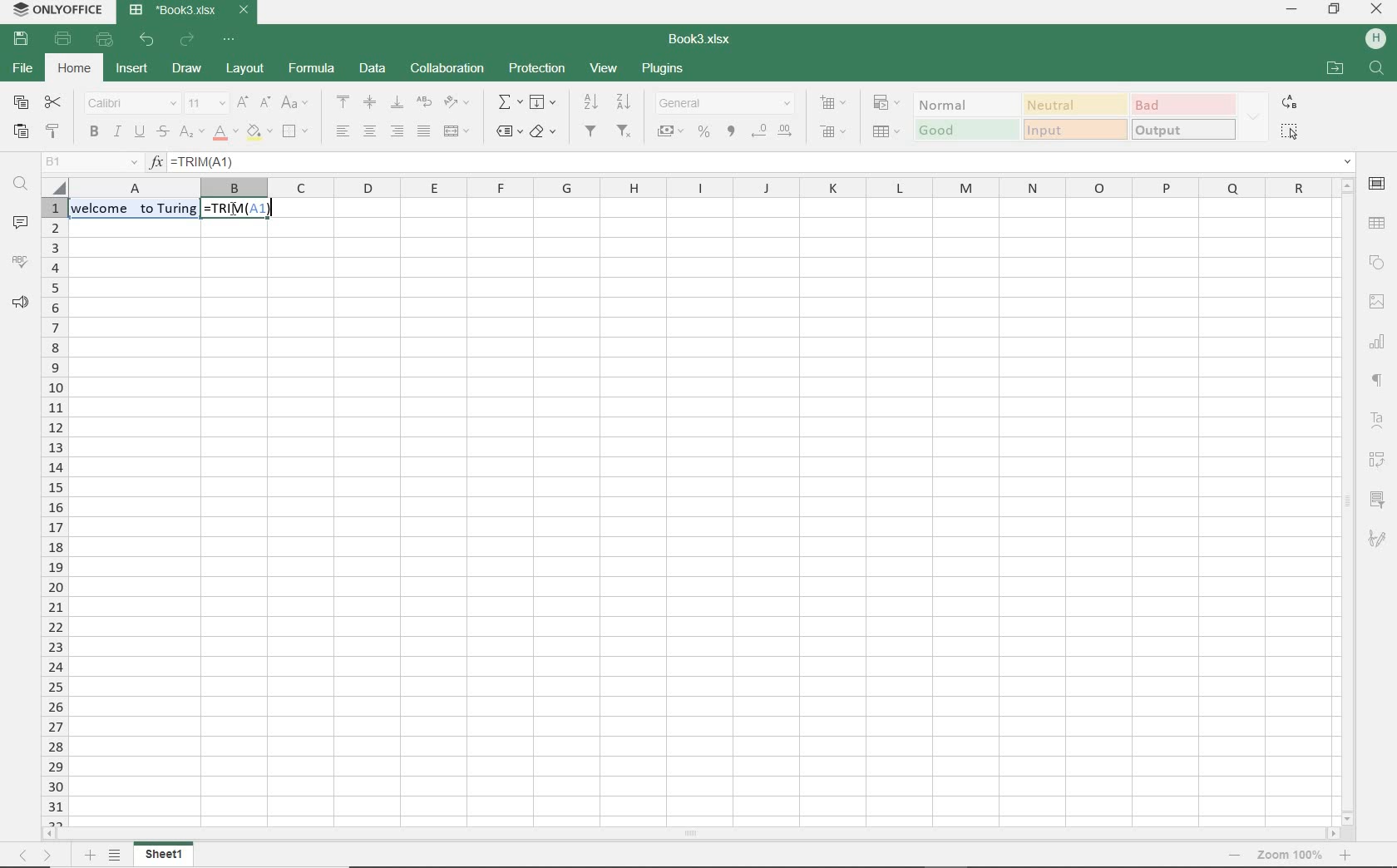 This screenshot has height=868, width=1397. I want to click on EXPAND, so click(1253, 117).